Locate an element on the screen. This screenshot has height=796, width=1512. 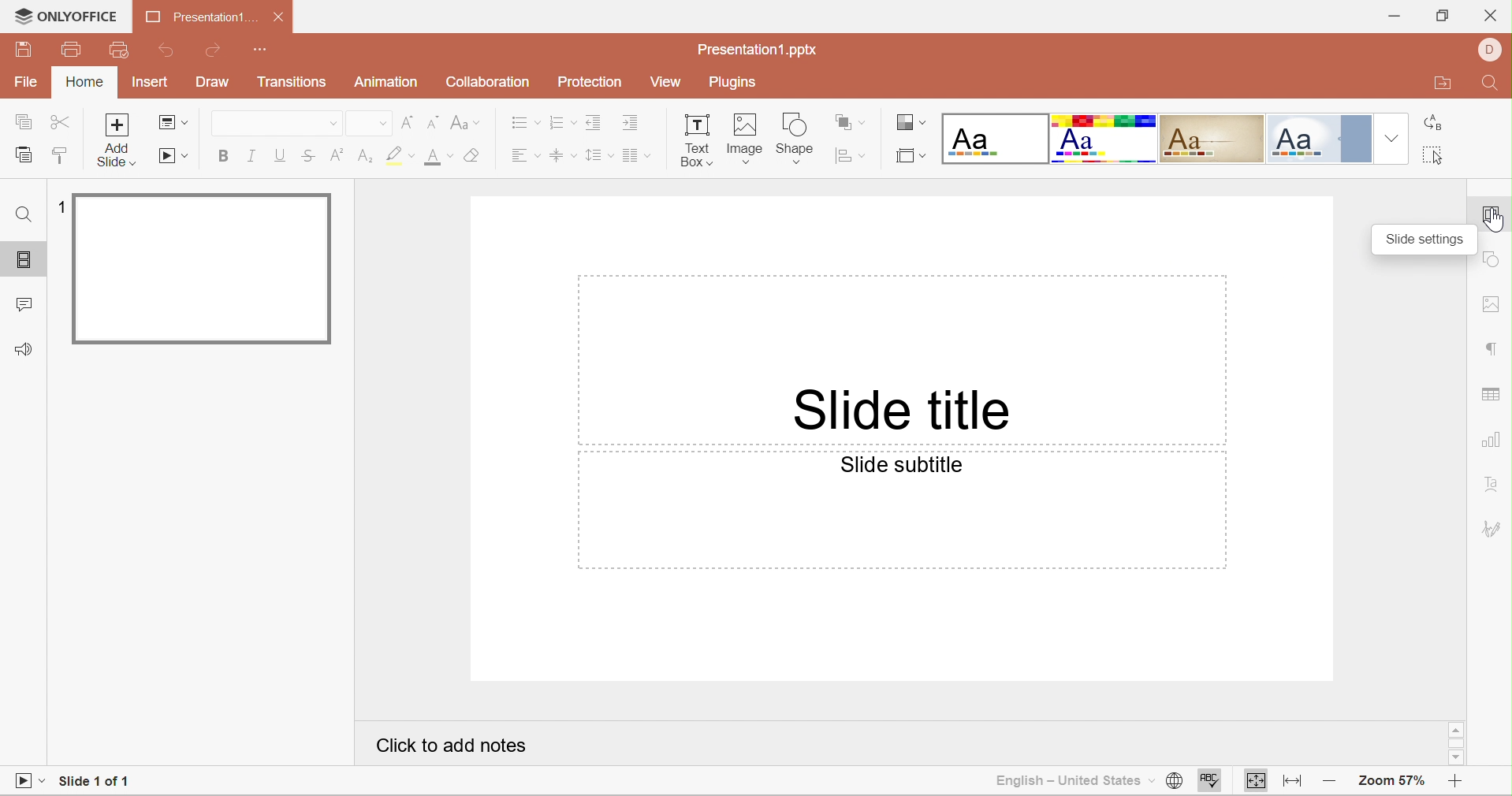
Replace is located at coordinates (1434, 125).